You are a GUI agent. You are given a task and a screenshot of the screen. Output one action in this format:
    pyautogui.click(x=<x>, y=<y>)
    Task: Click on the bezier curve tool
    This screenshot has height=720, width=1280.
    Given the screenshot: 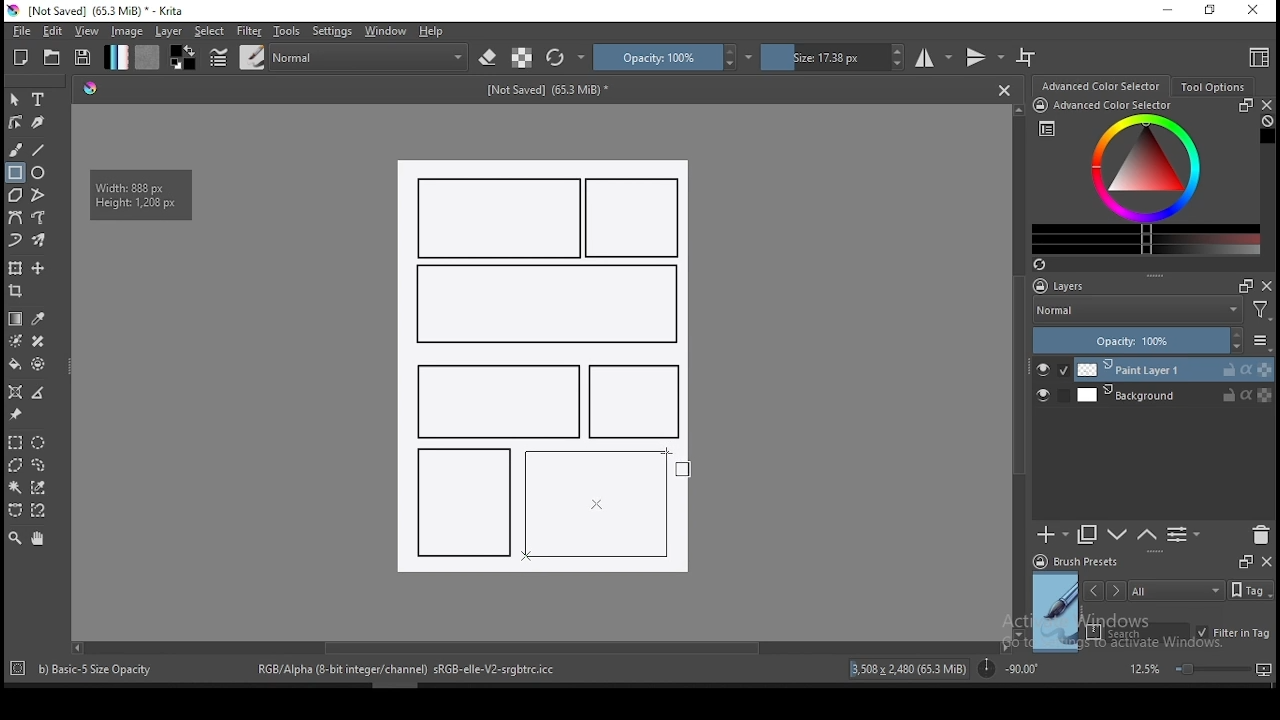 What is the action you would take?
    pyautogui.click(x=14, y=219)
    